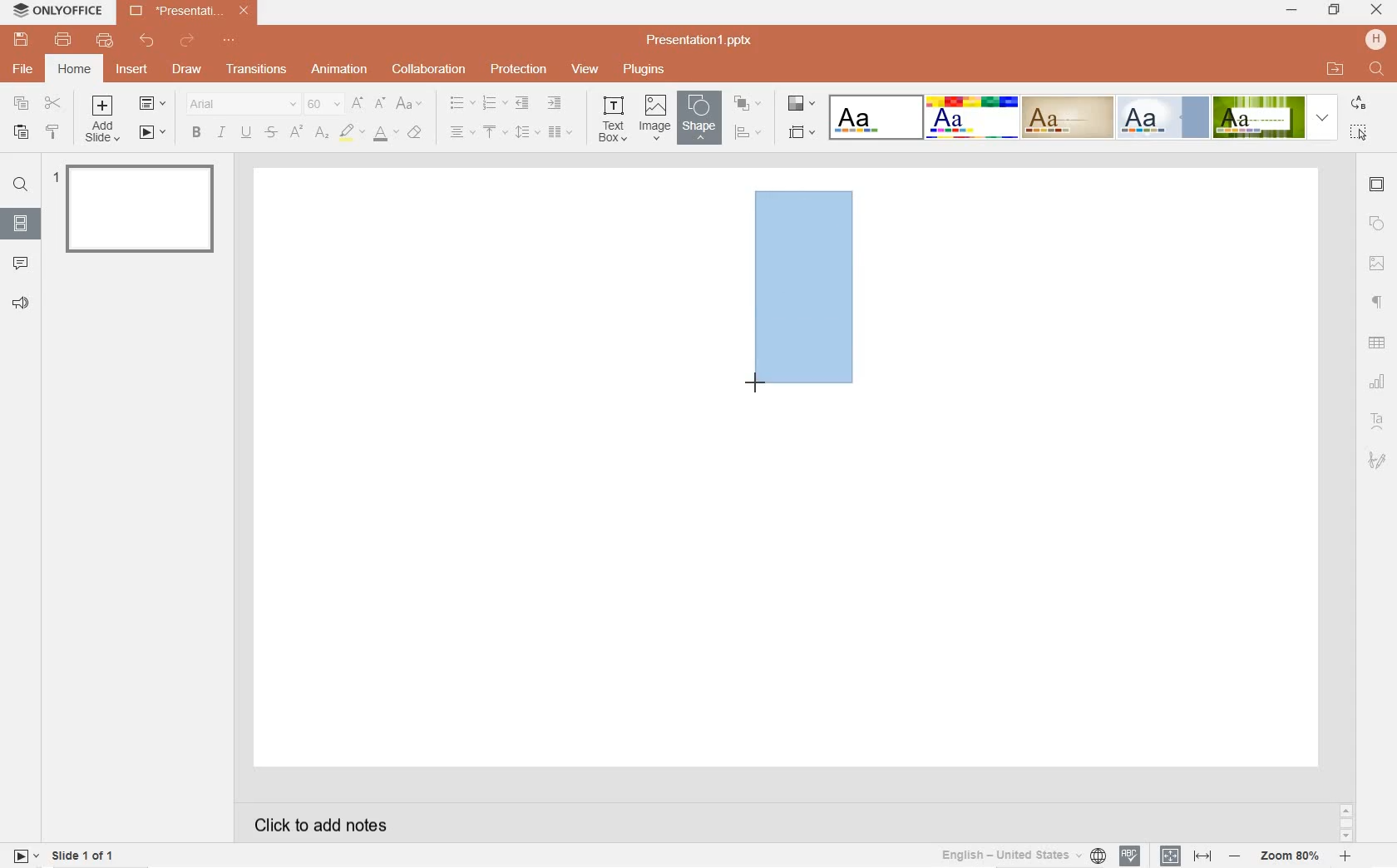  What do you see at coordinates (1378, 460) in the screenshot?
I see `signature` at bounding box center [1378, 460].